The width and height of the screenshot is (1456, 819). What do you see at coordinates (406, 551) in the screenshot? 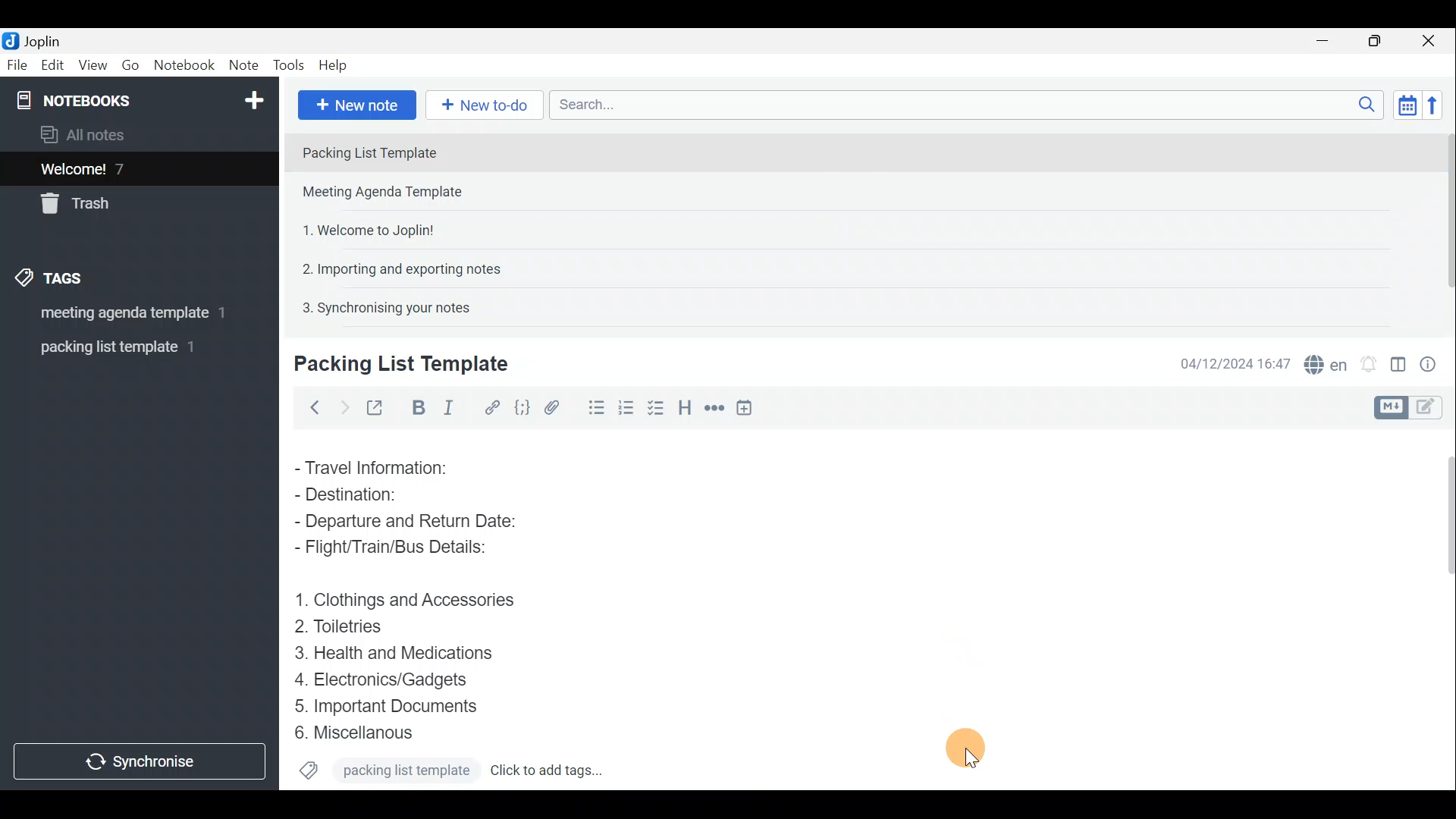
I see `Flight/Train/Bus Details:` at bounding box center [406, 551].